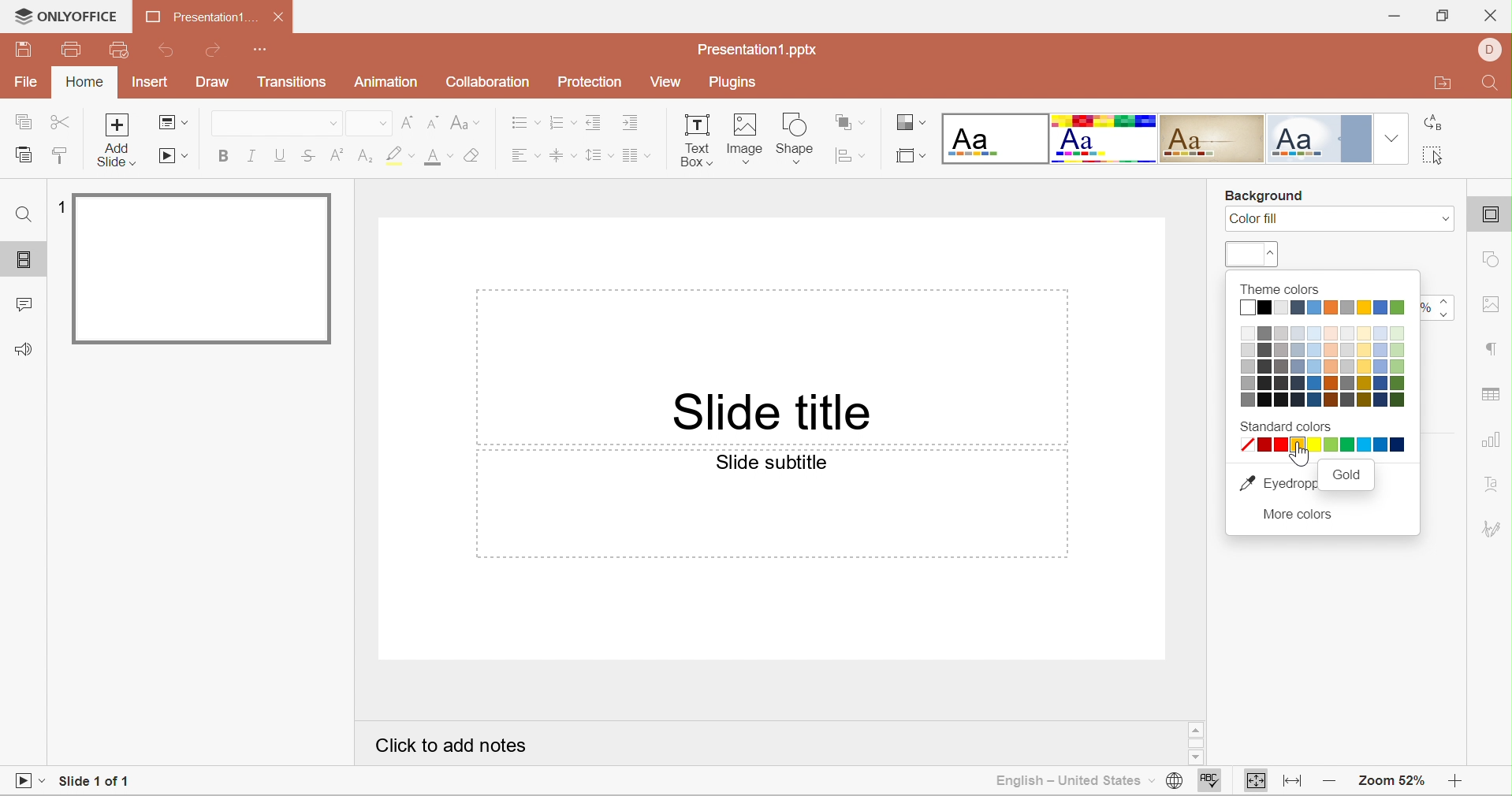  I want to click on cursor, so click(1299, 454).